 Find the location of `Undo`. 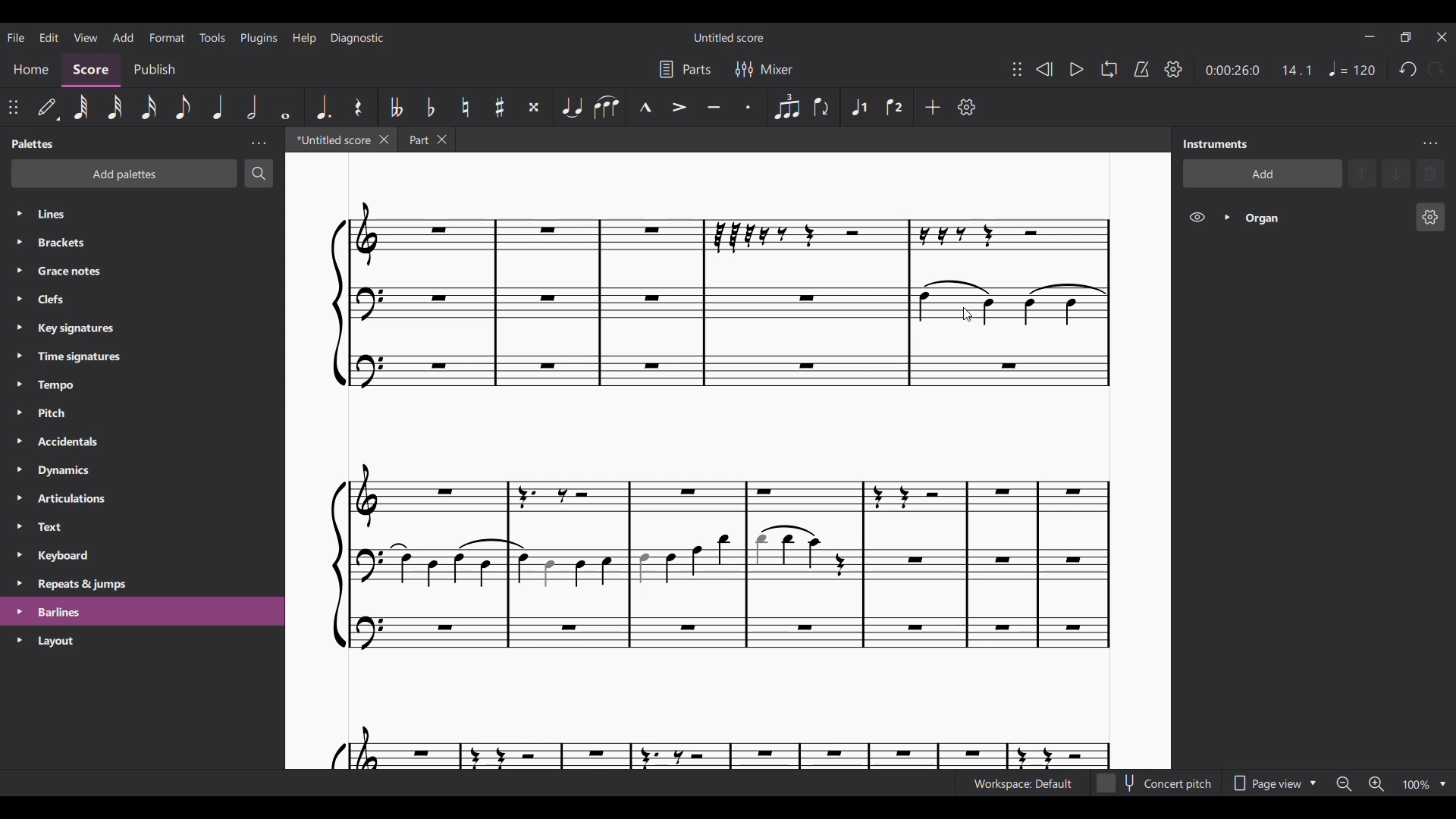

Undo is located at coordinates (1407, 70).